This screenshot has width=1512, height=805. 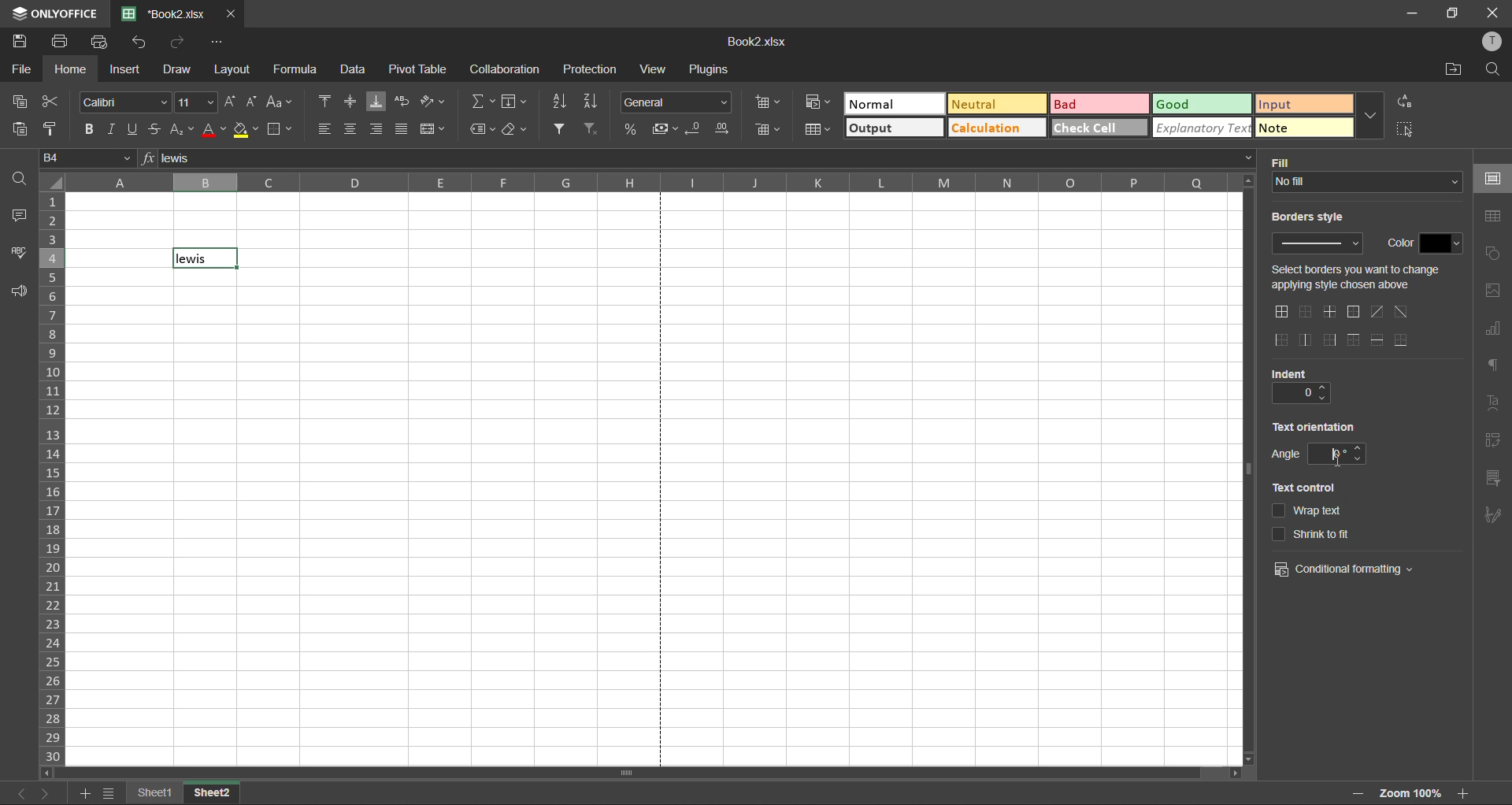 What do you see at coordinates (1317, 245) in the screenshot?
I see `input border style` at bounding box center [1317, 245].